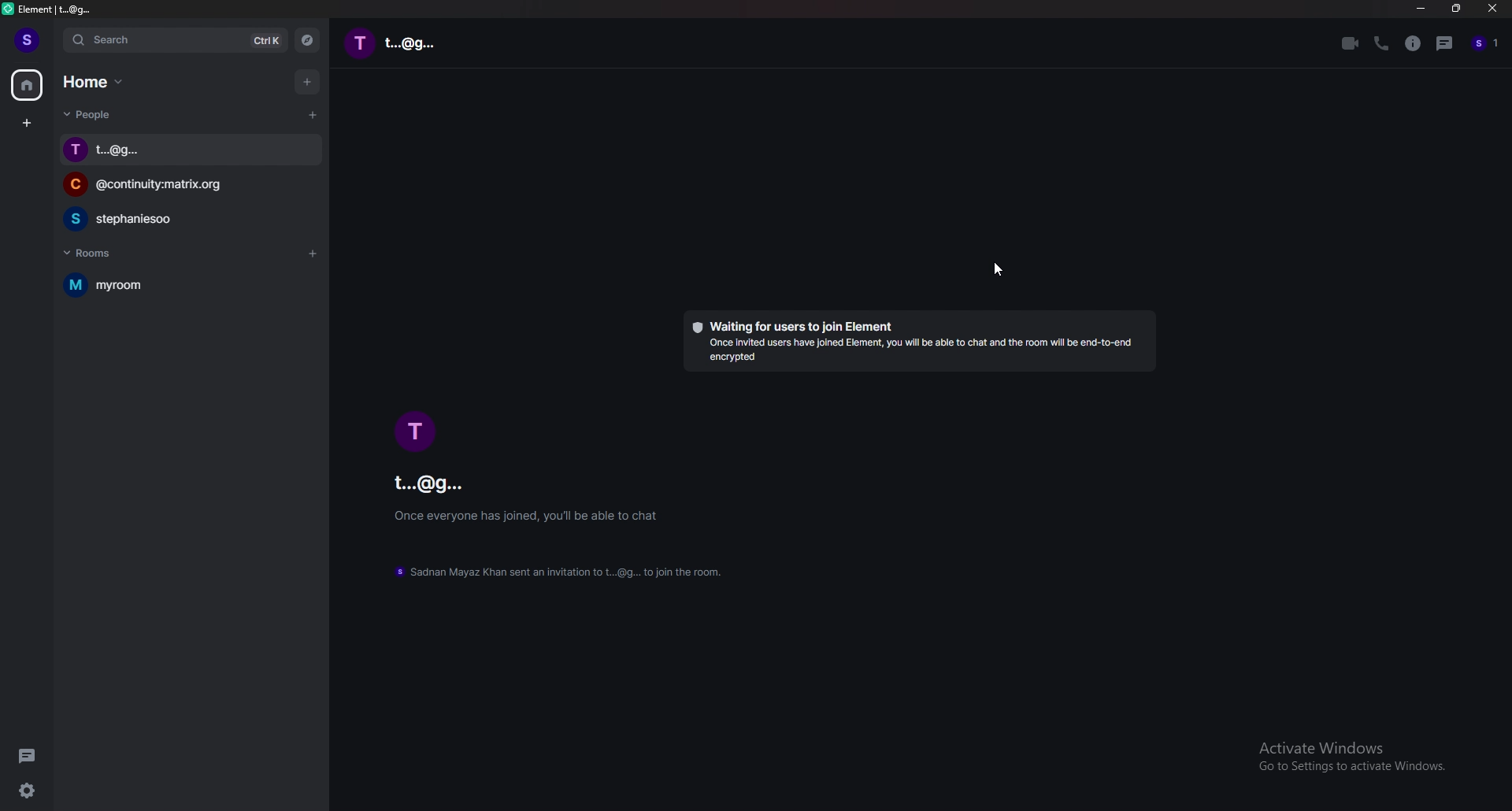  What do you see at coordinates (94, 114) in the screenshot?
I see `people` at bounding box center [94, 114].